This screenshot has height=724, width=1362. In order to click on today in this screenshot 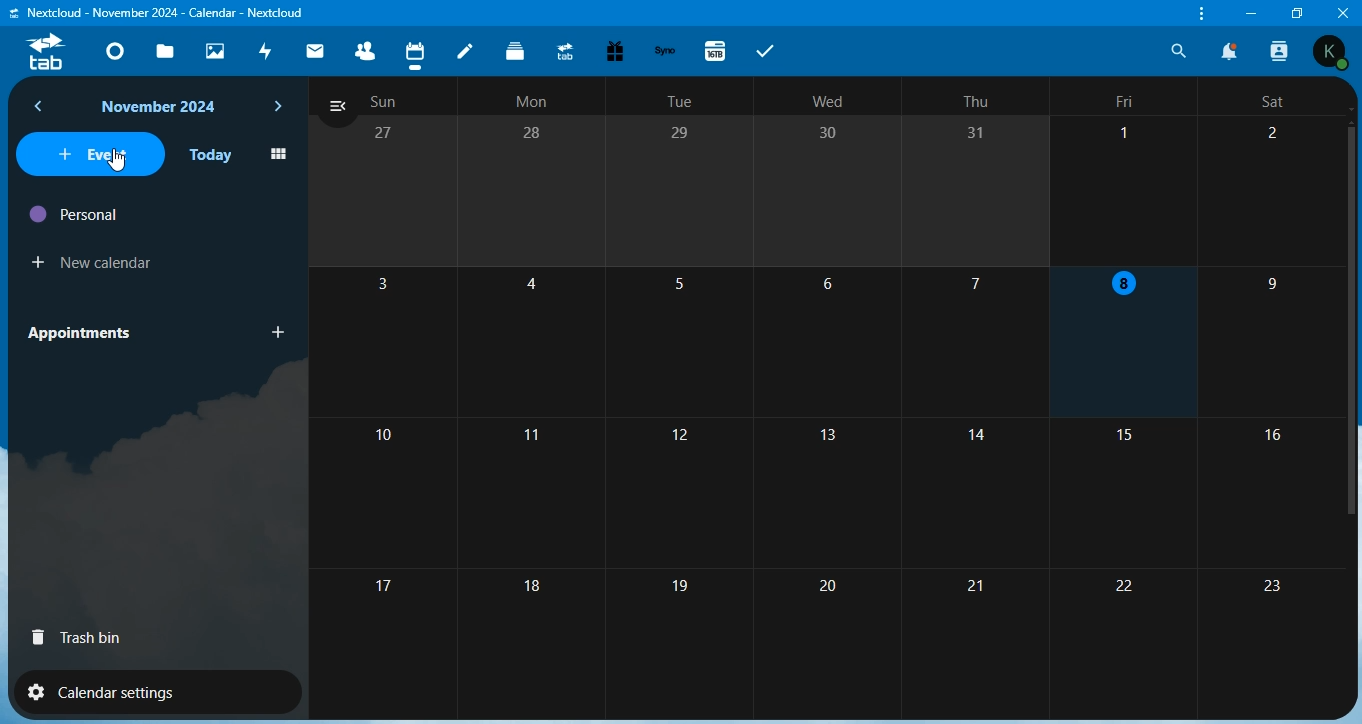, I will do `click(213, 154)`.